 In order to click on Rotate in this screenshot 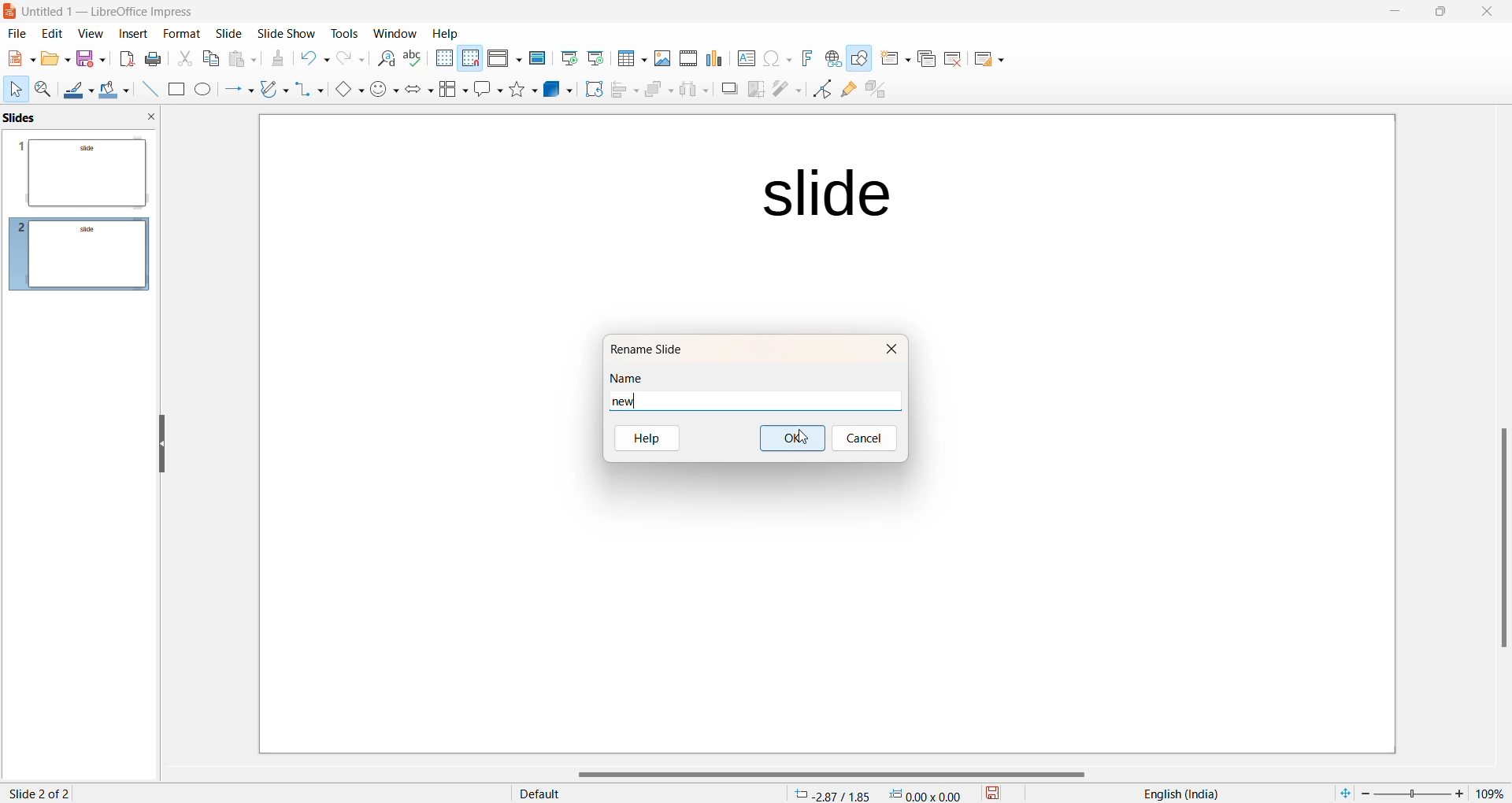, I will do `click(590, 91)`.